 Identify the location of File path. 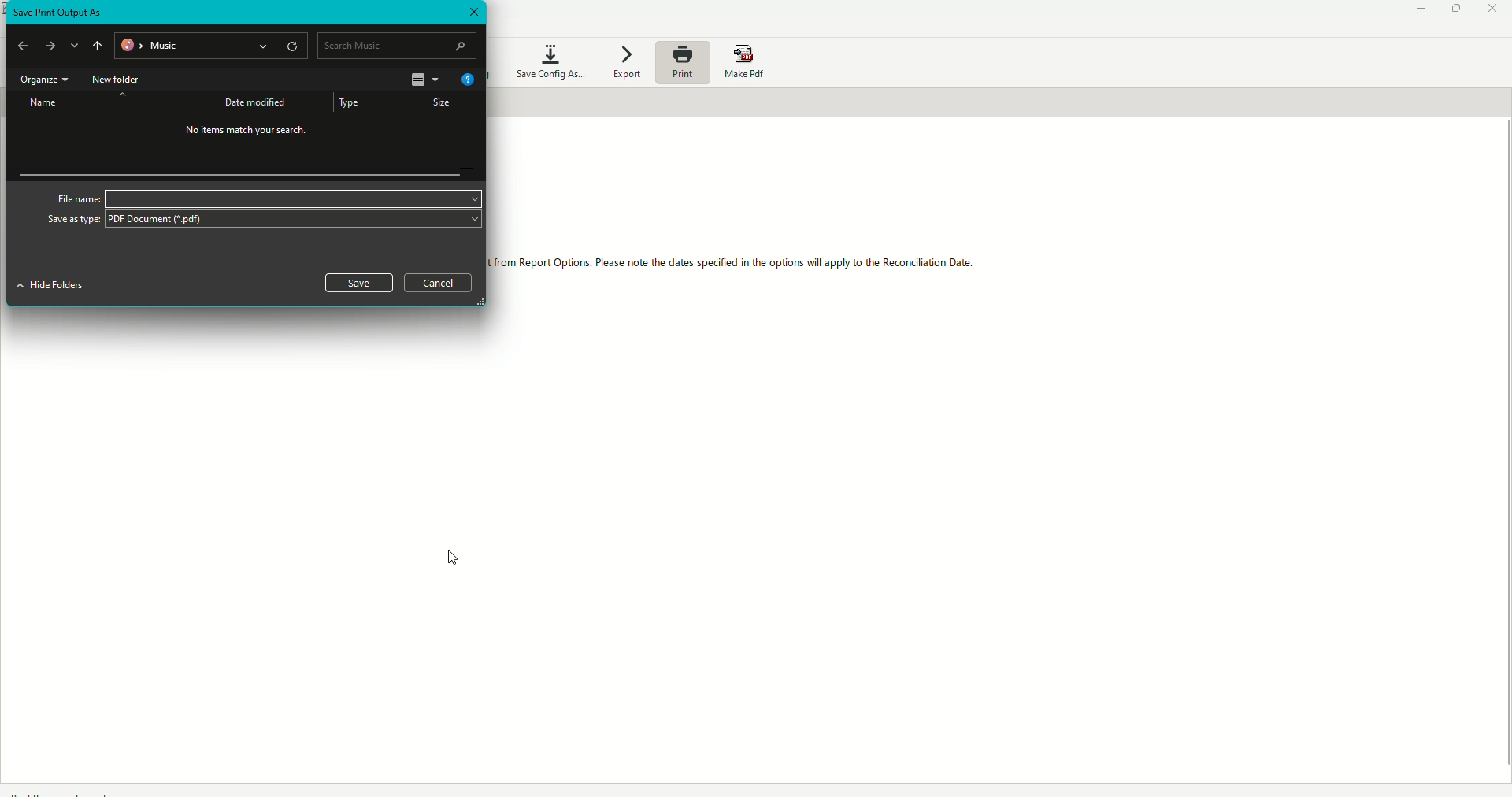
(209, 45).